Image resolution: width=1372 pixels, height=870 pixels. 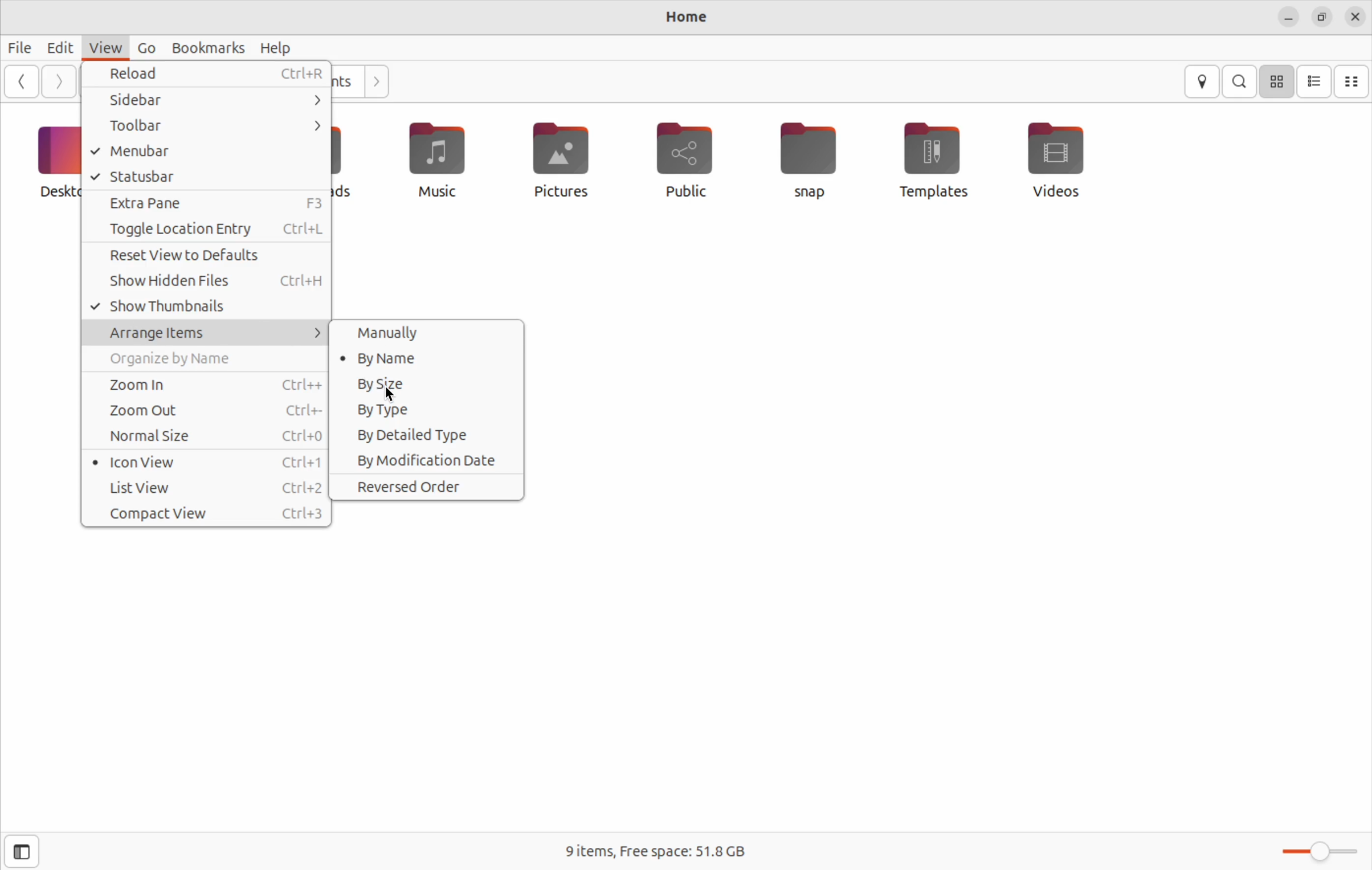 I want to click on compact view, so click(x=208, y=514).